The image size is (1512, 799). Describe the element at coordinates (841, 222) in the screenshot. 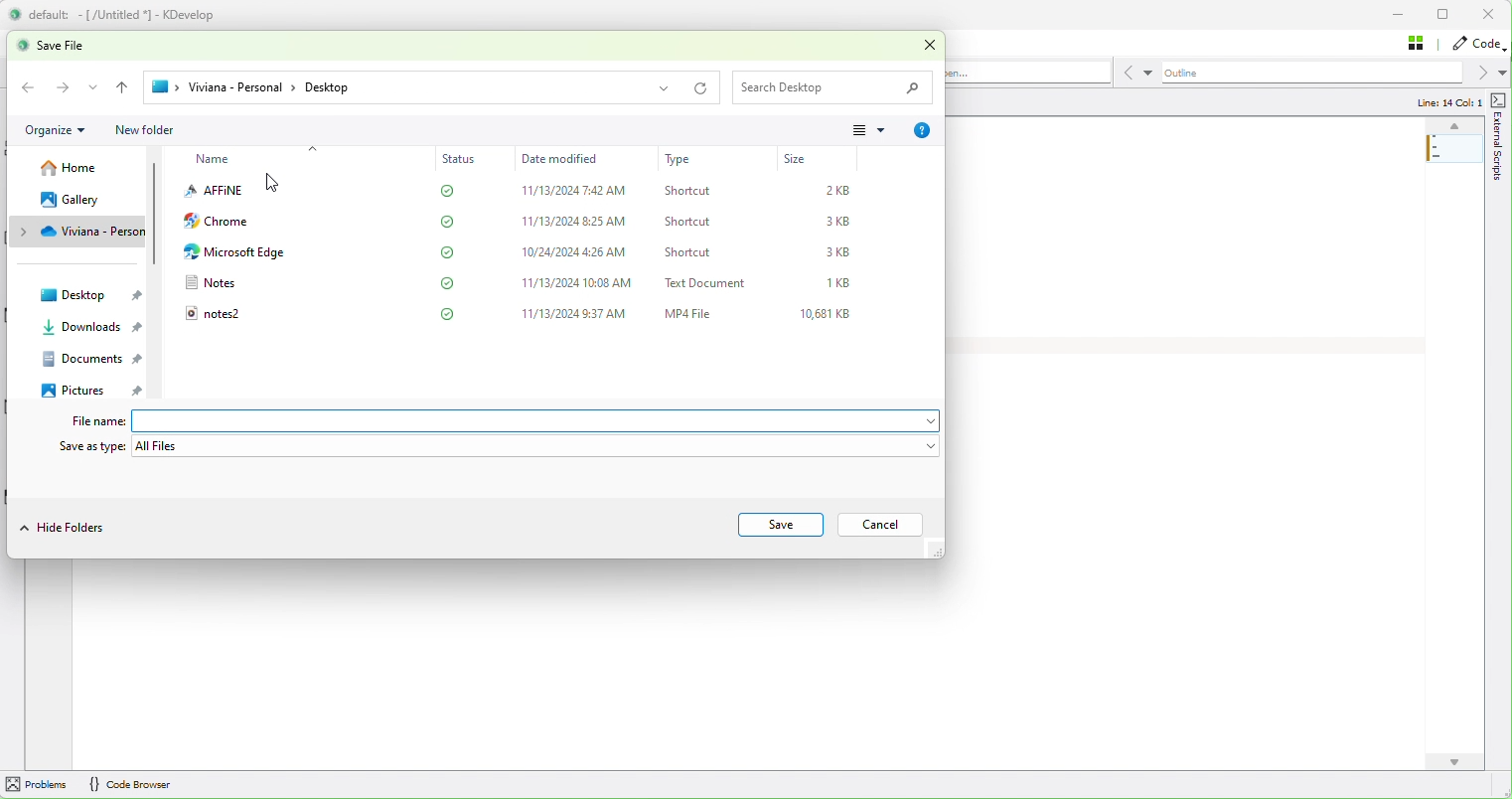

I see `3KB` at that location.